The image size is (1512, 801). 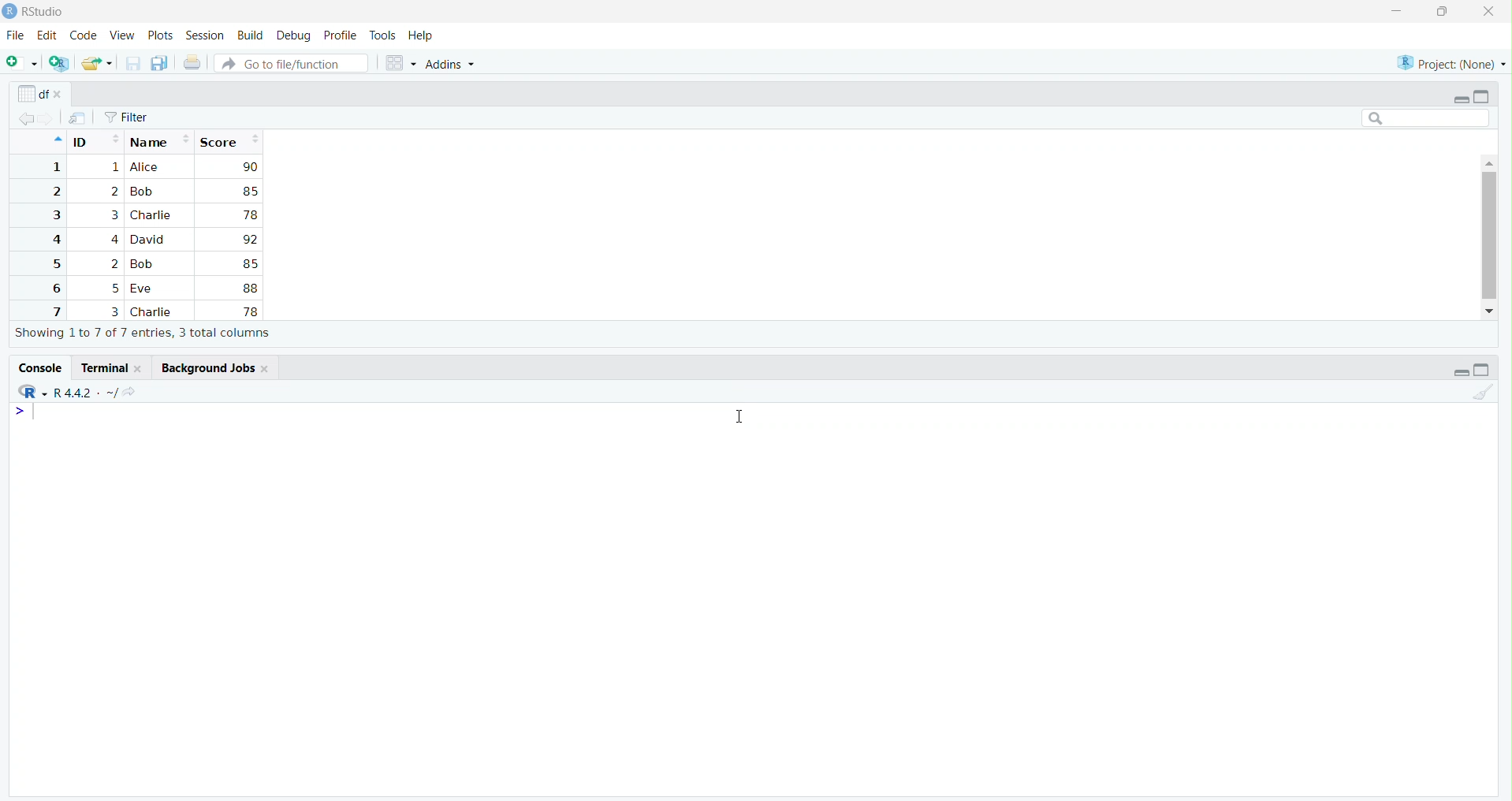 I want to click on file search, so click(x=293, y=62).